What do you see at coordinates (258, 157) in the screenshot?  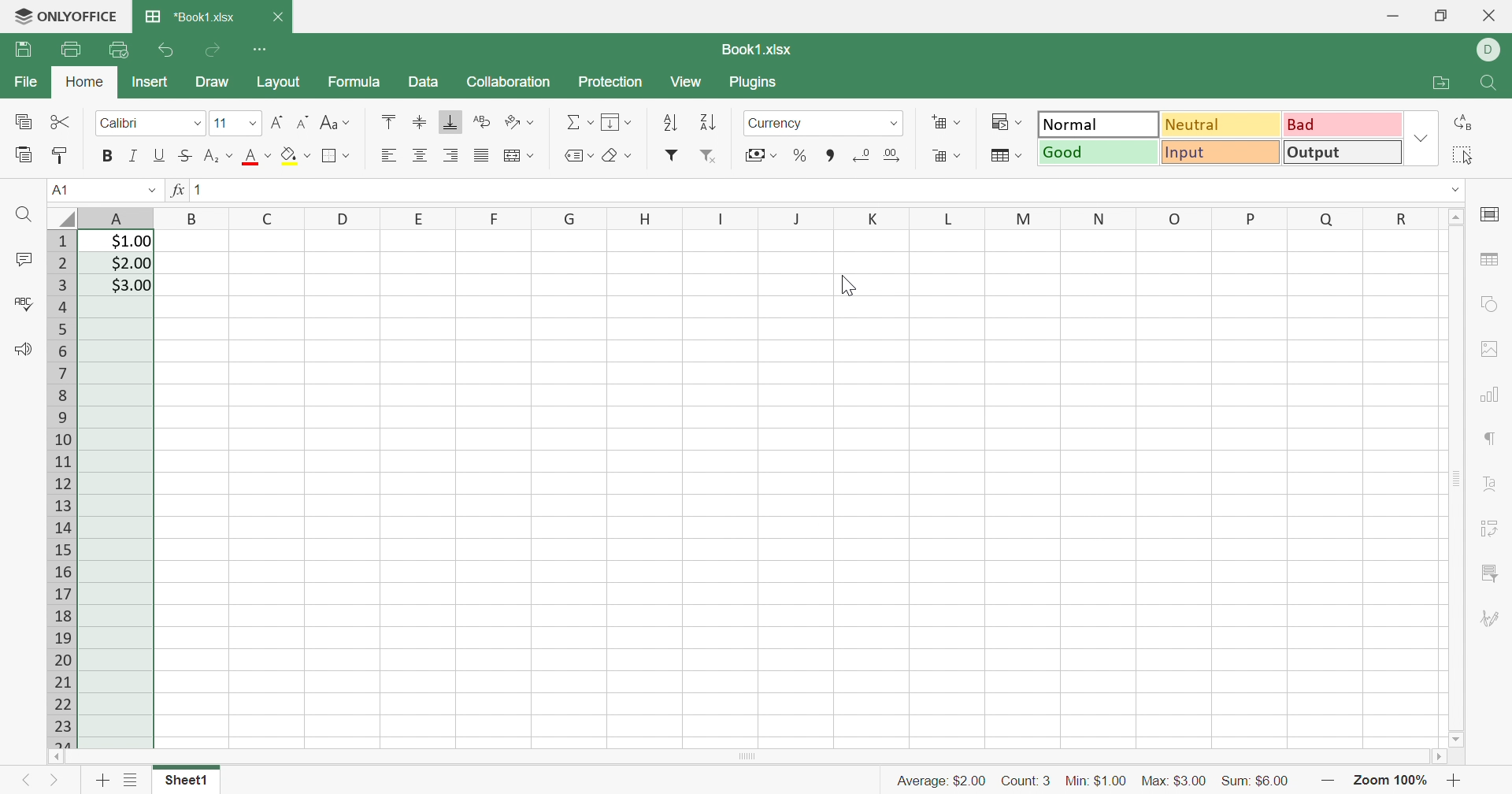 I see `Font` at bounding box center [258, 157].